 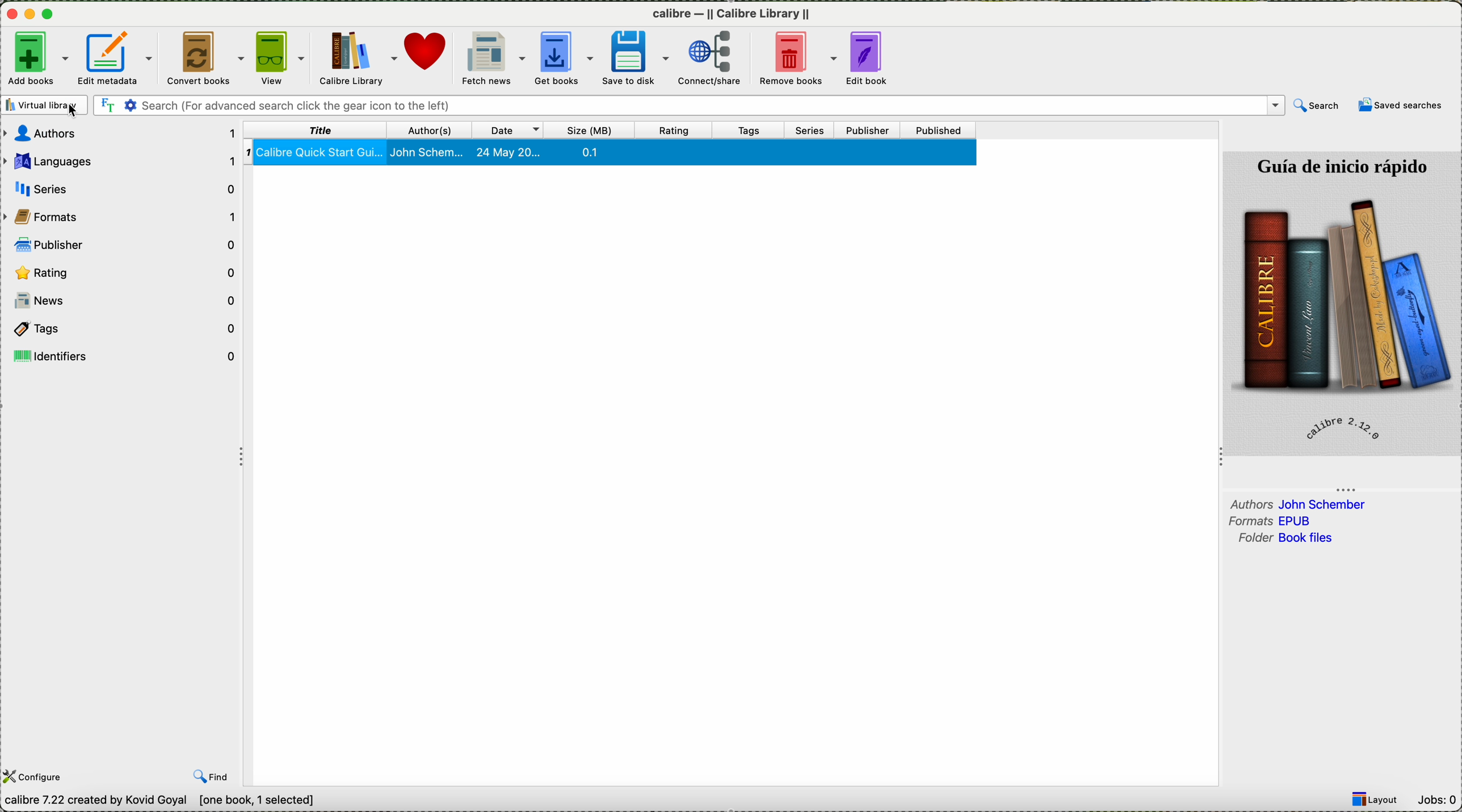 I want to click on configure, so click(x=36, y=776).